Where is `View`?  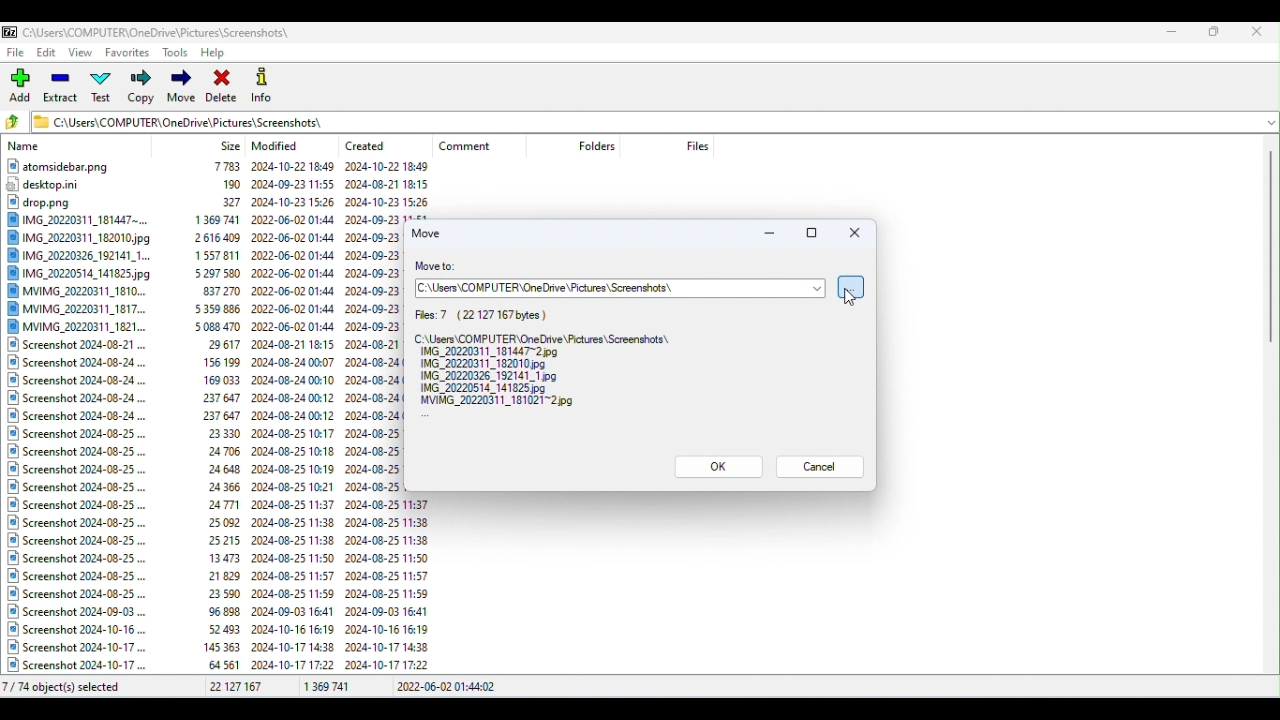
View is located at coordinates (83, 54).